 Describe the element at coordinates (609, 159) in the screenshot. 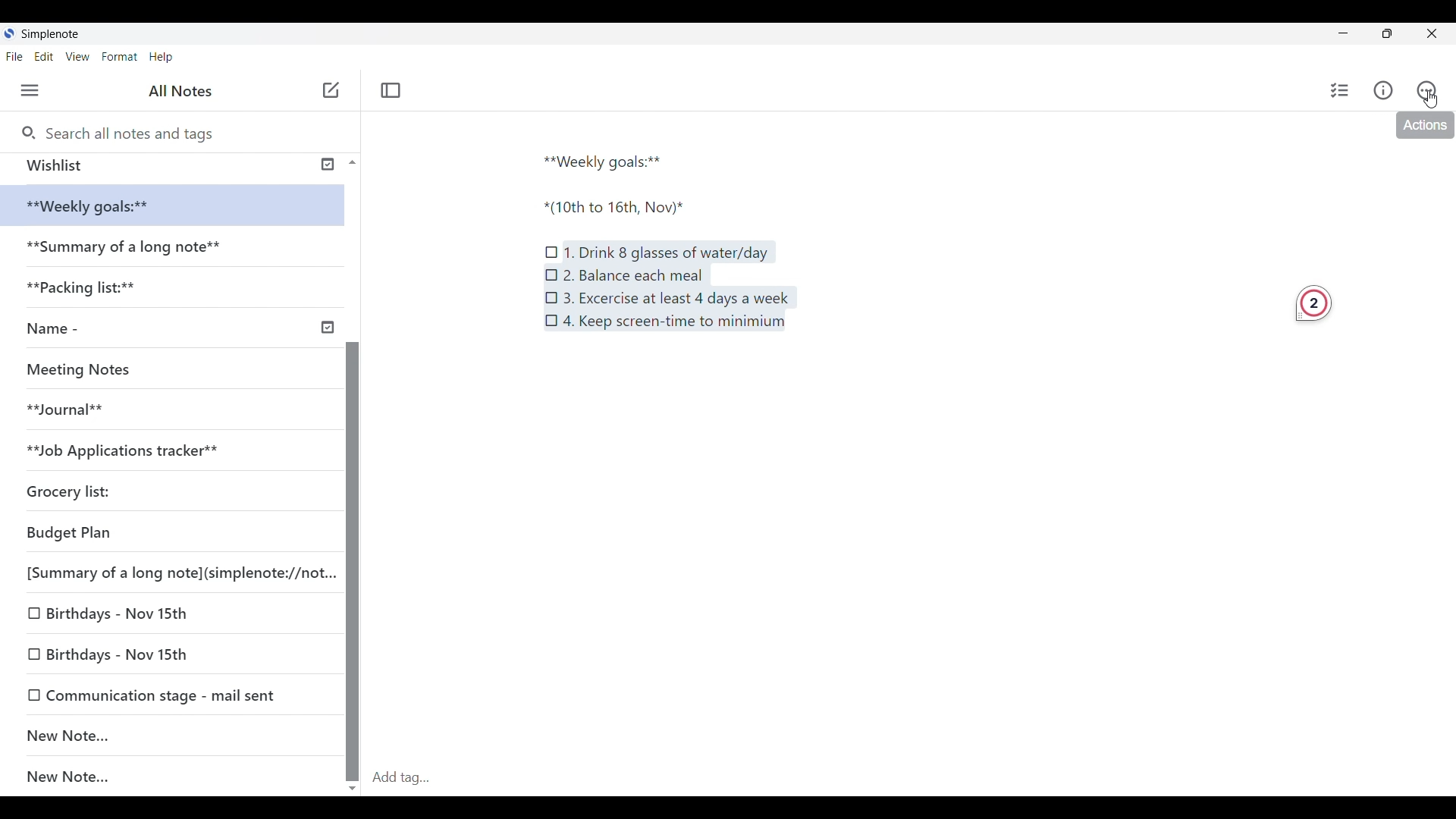

I see `**Weekly goals:**` at that location.